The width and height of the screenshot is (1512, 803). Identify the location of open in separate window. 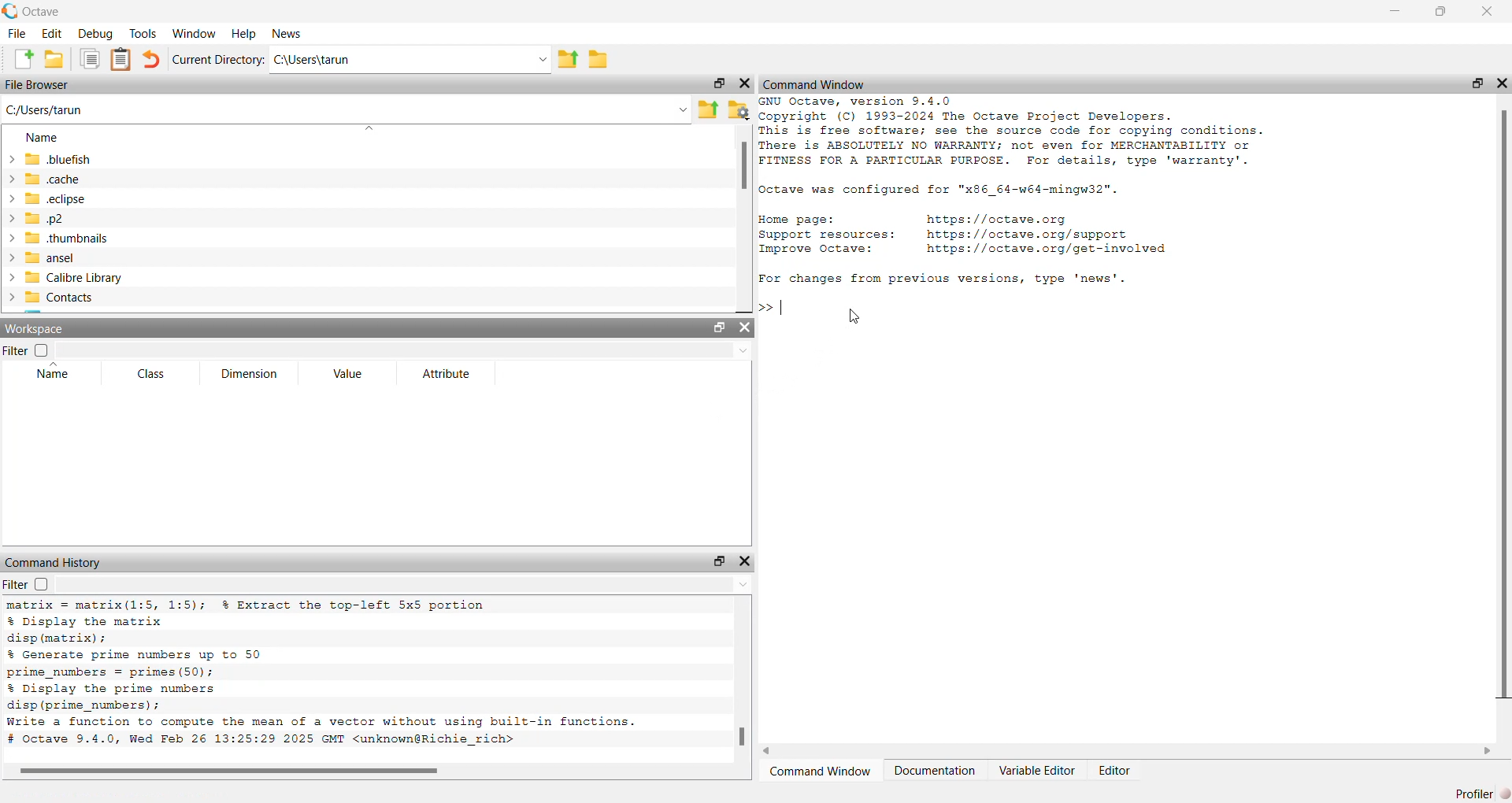
(721, 561).